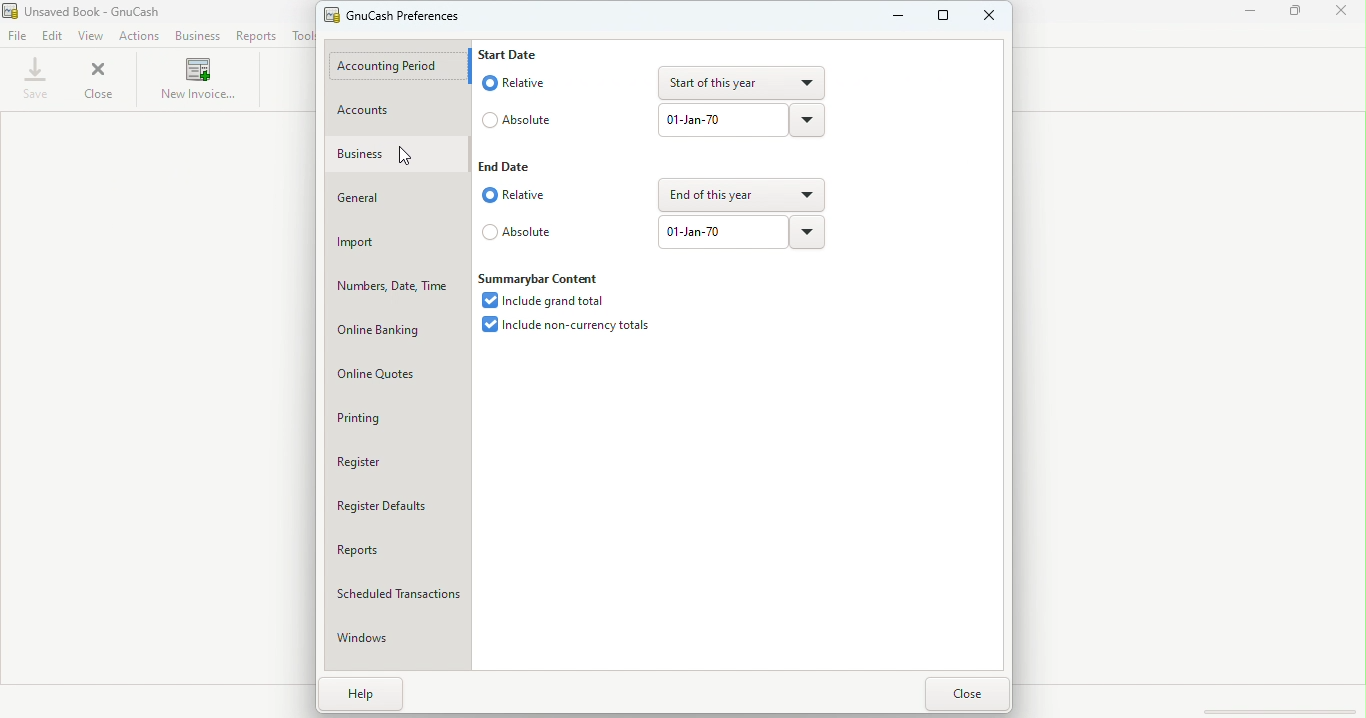  I want to click on Printing, so click(397, 416).